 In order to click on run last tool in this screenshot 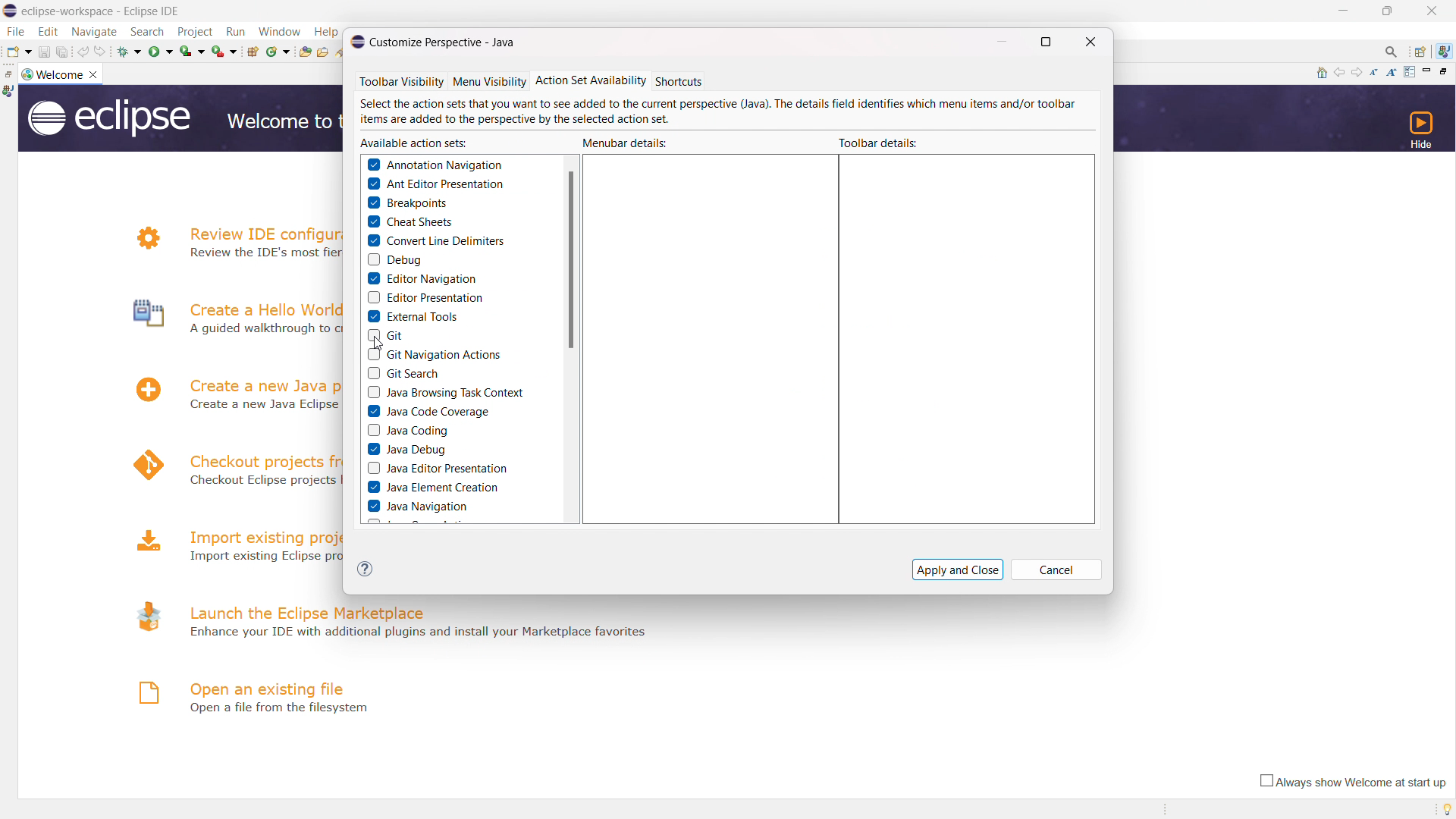, I will do `click(224, 51)`.